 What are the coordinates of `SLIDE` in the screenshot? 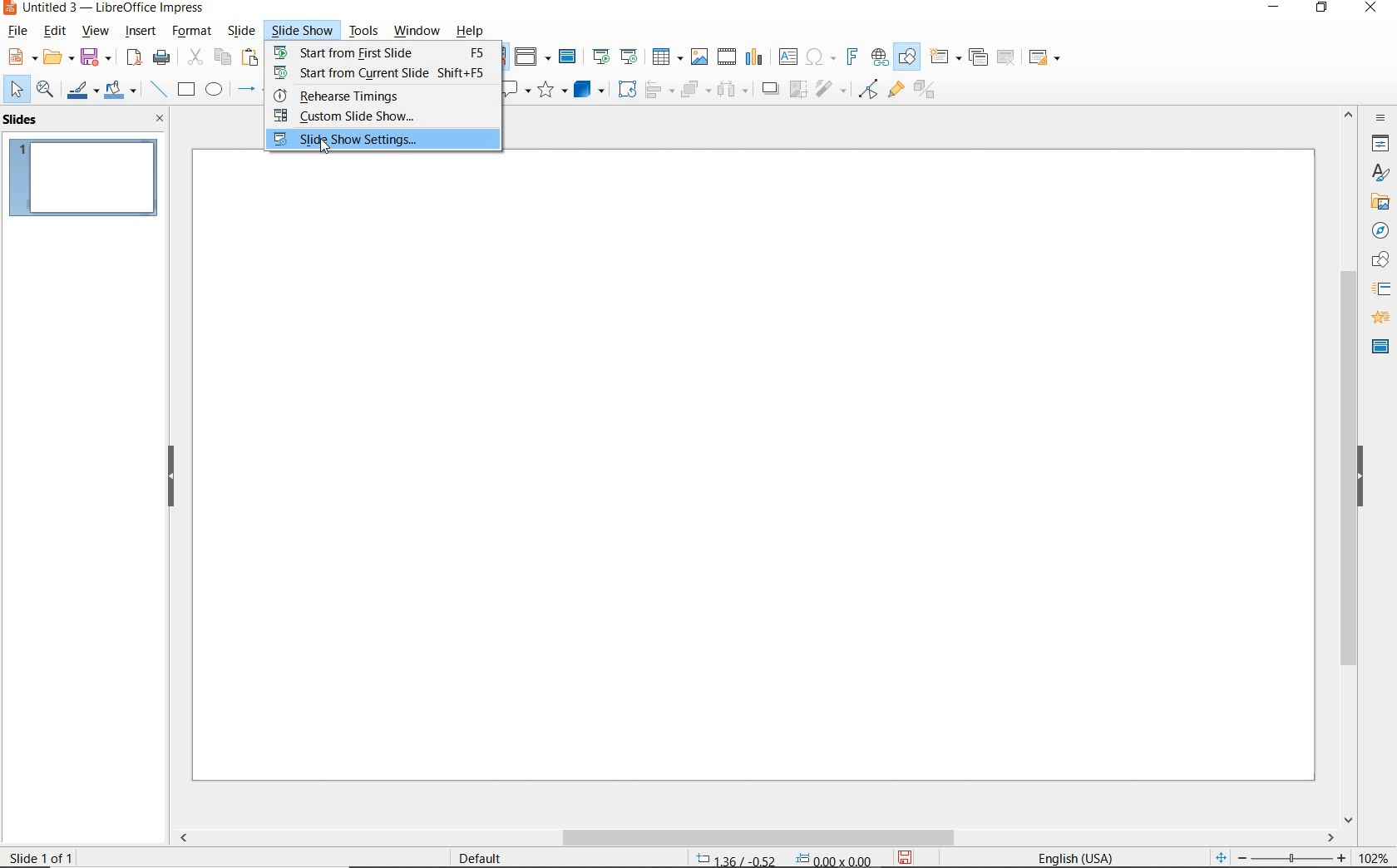 It's located at (242, 29).